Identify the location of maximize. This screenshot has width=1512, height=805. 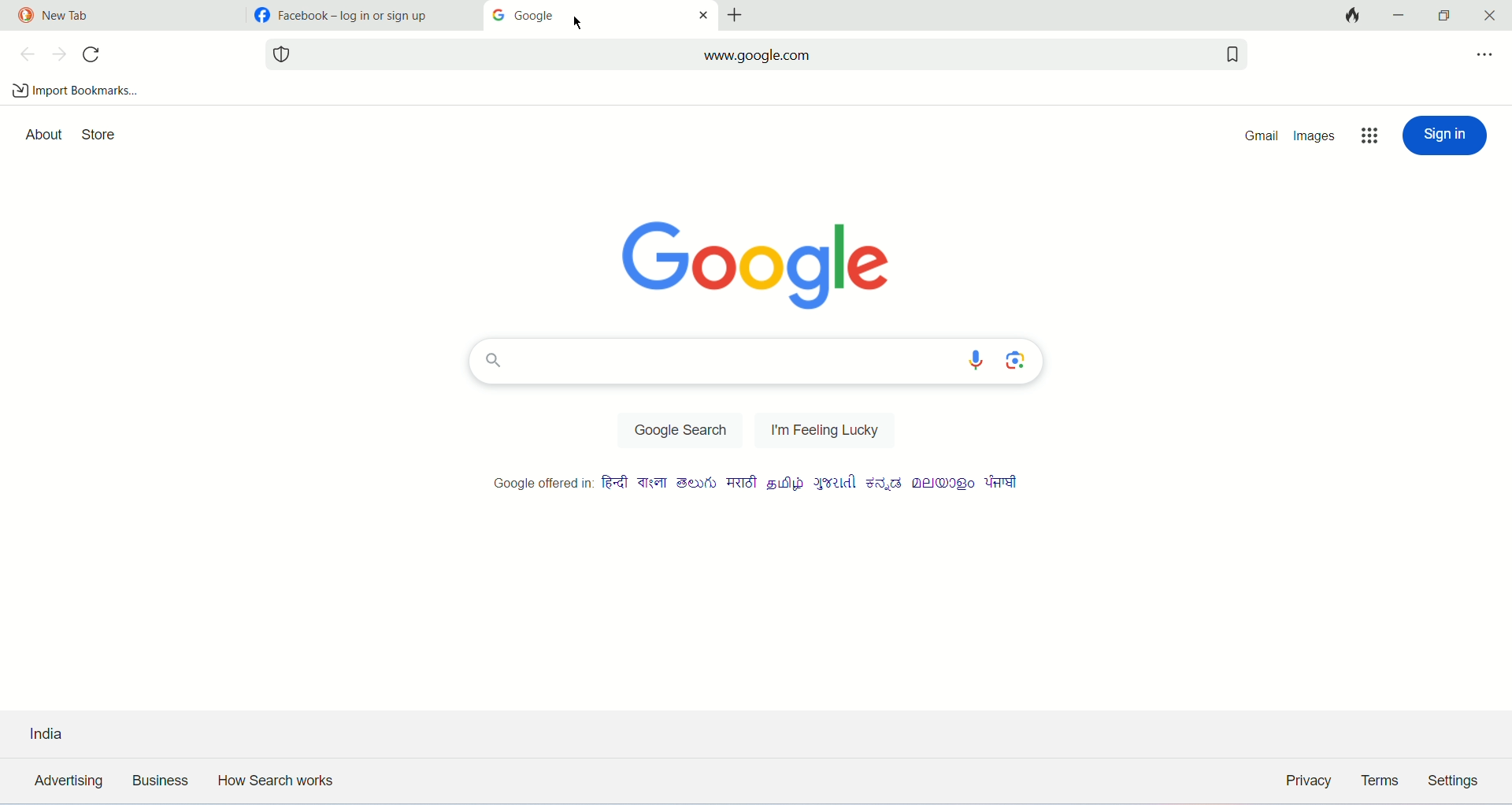
(1443, 17).